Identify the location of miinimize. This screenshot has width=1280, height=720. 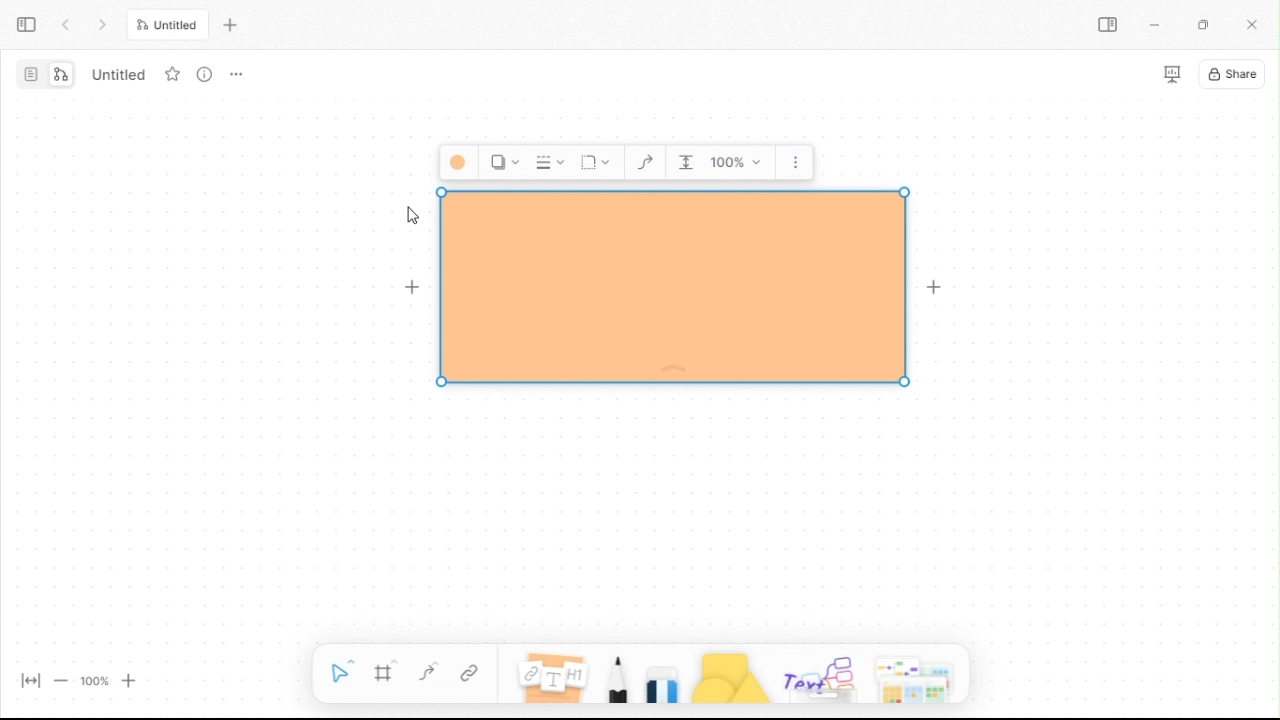
(1158, 25).